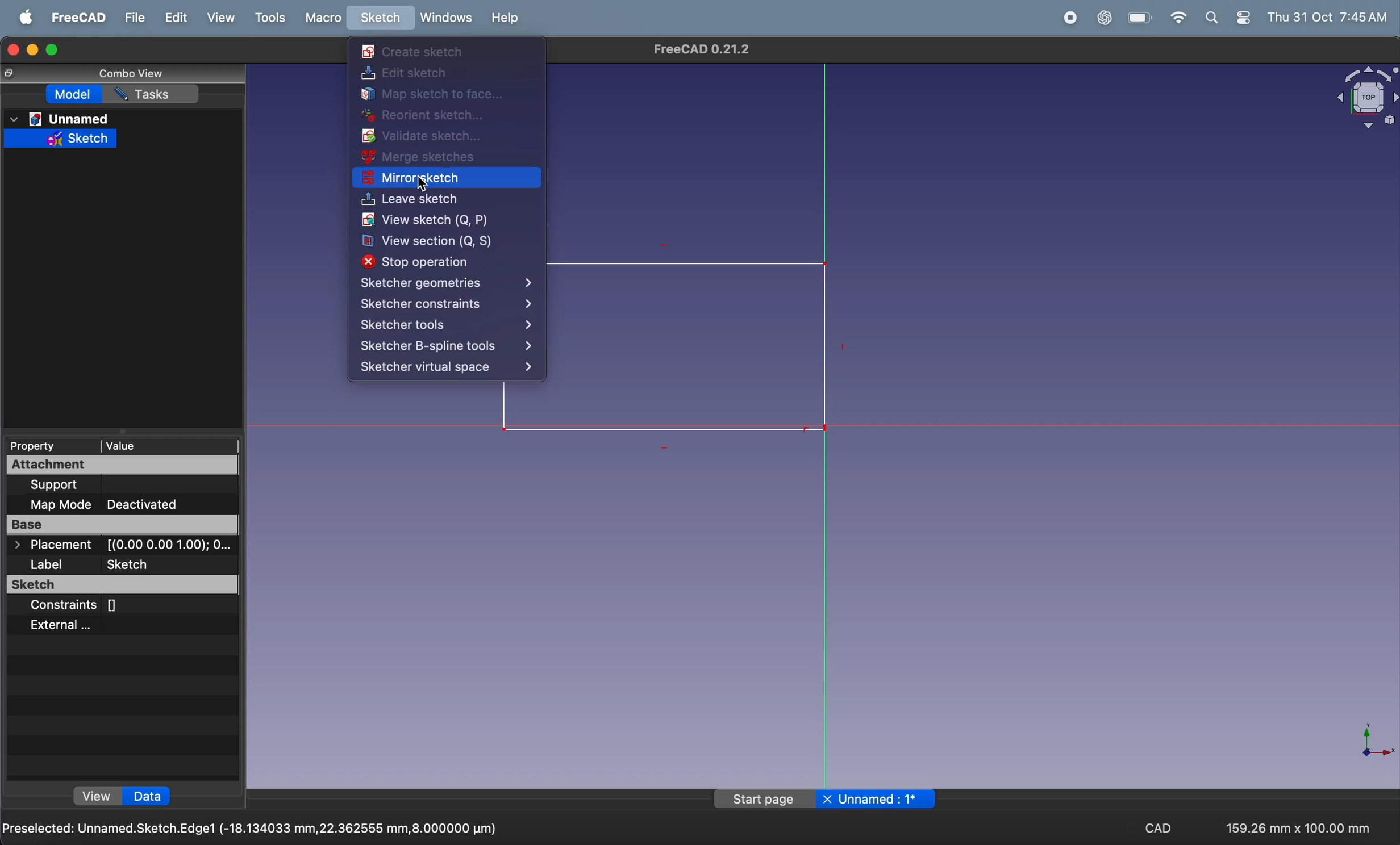 Image resolution: width=1400 pixels, height=845 pixels. What do you see at coordinates (216, 18) in the screenshot?
I see `view` at bounding box center [216, 18].